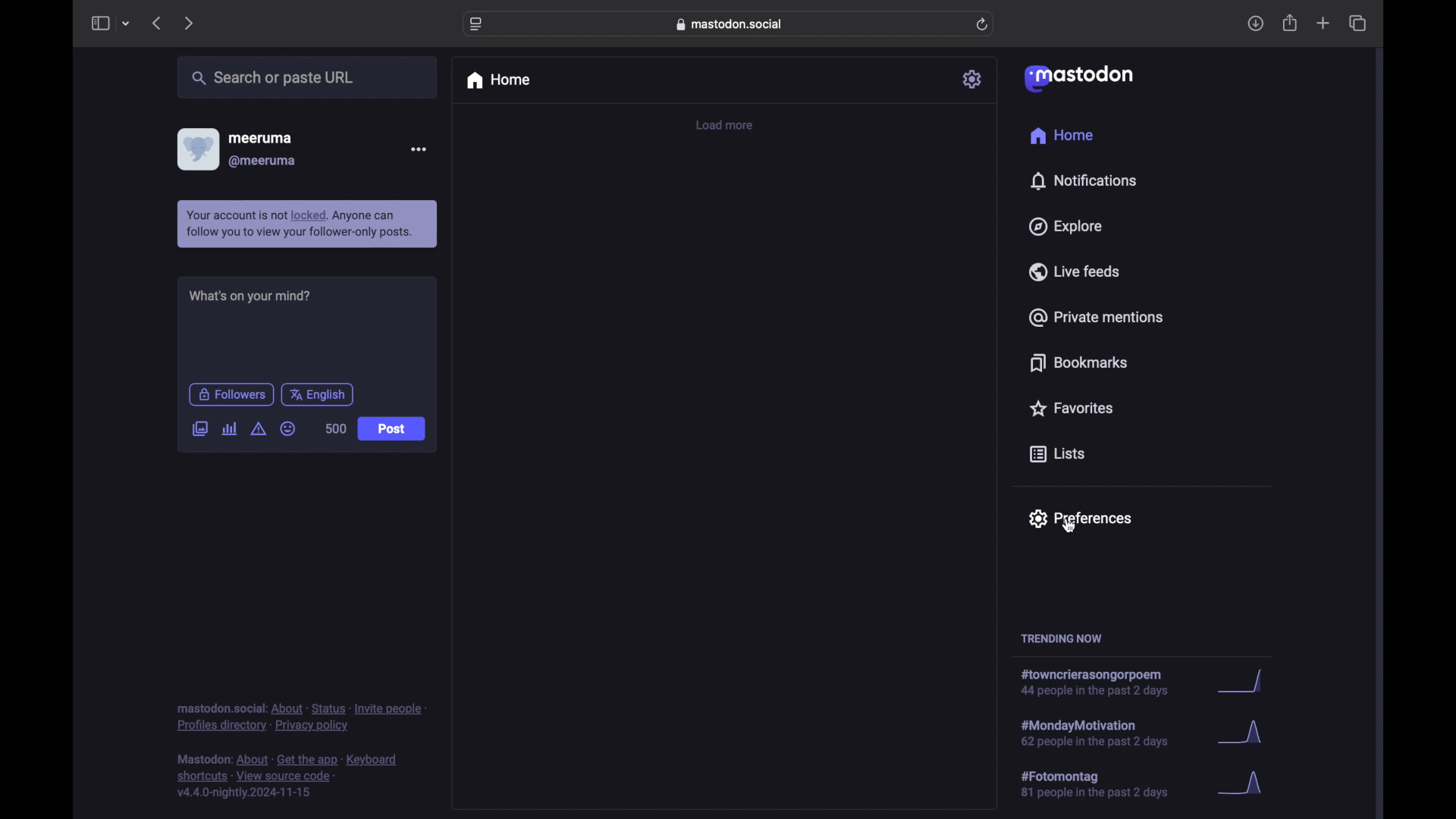  Describe the element at coordinates (418, 149) in the screenshot. I see `more options` at that location.